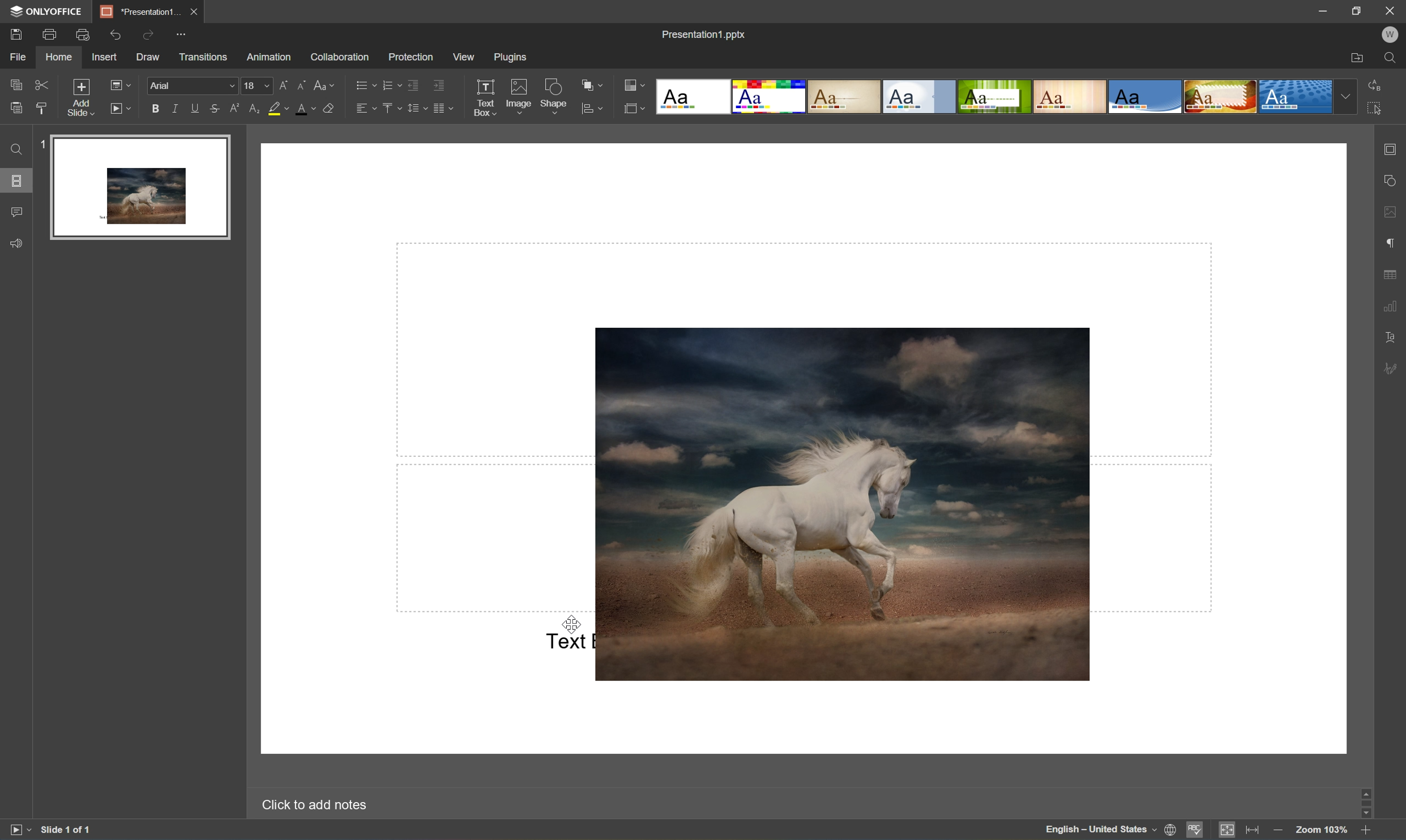 Image resolution: width=1406 pixels, height=840 pixels. What do you see at coordinates (1391, 368) in the screenshot?
I see `Signature settings` at bounding box center [1391, 368].